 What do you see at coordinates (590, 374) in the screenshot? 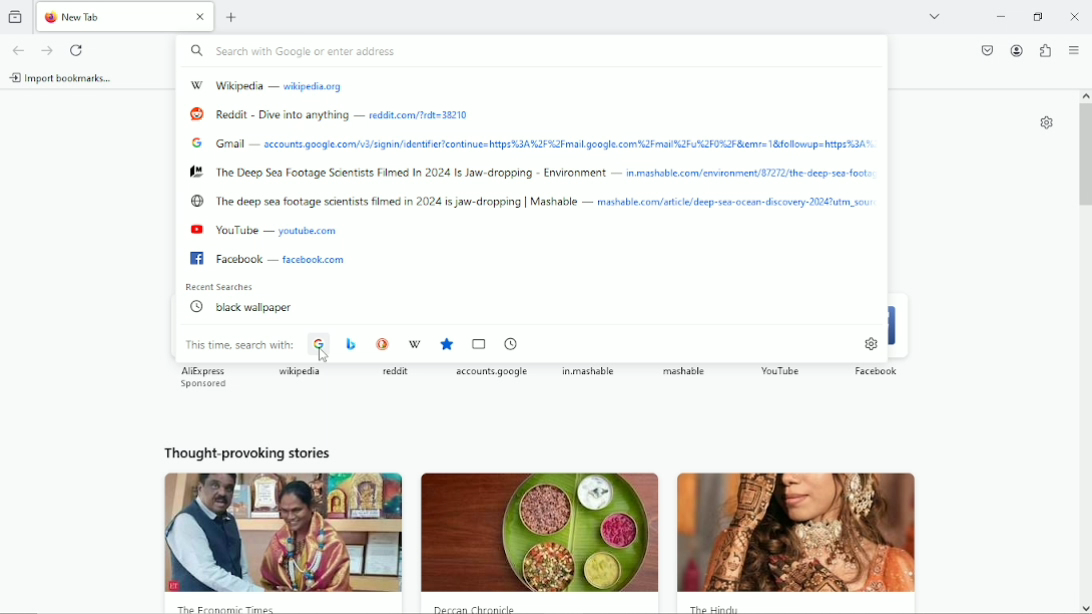
I see `in.mashable` at bounding box center [590, 374].